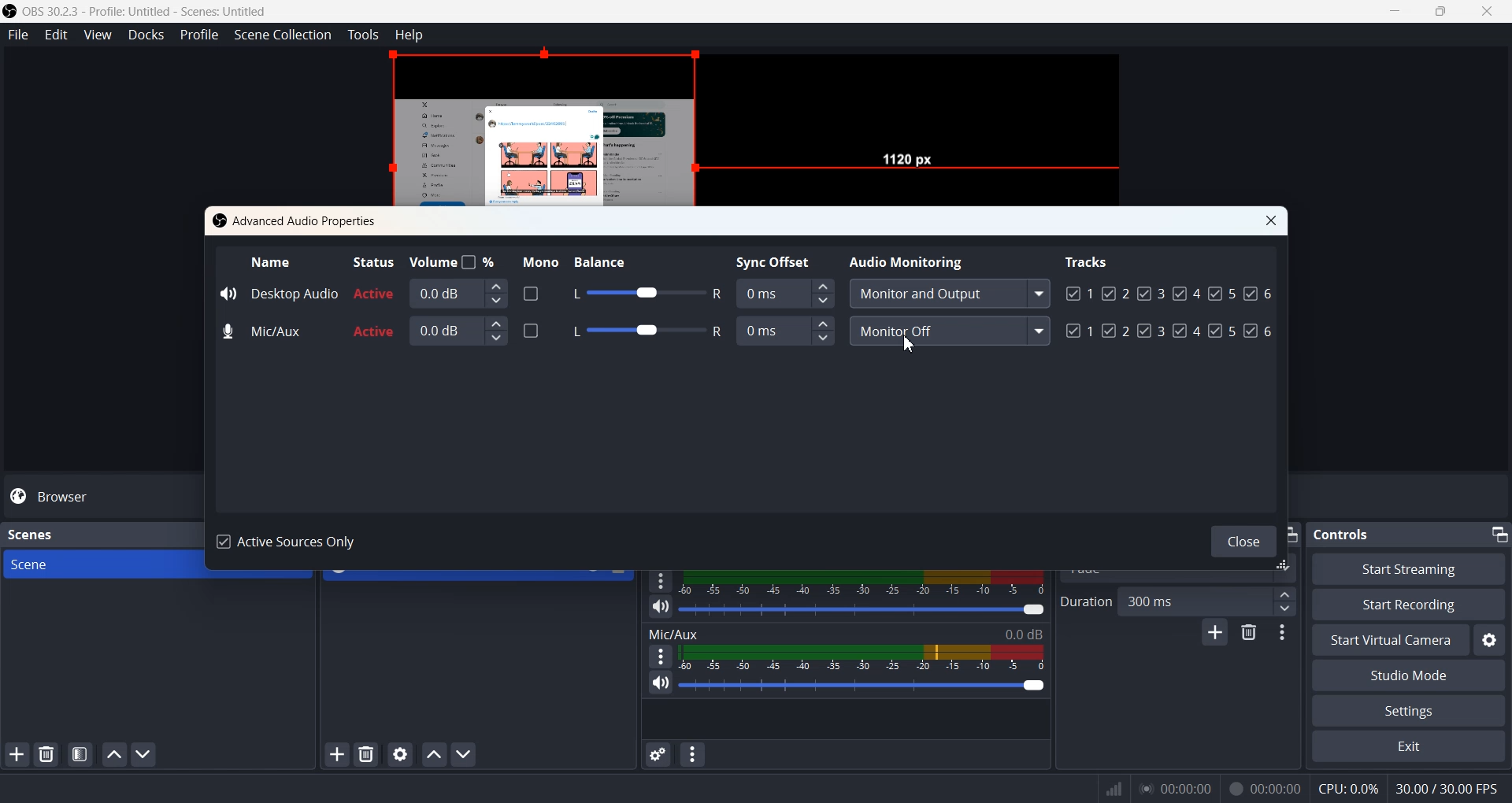  I want to click on Mute / Unmute, so click(661, 683).